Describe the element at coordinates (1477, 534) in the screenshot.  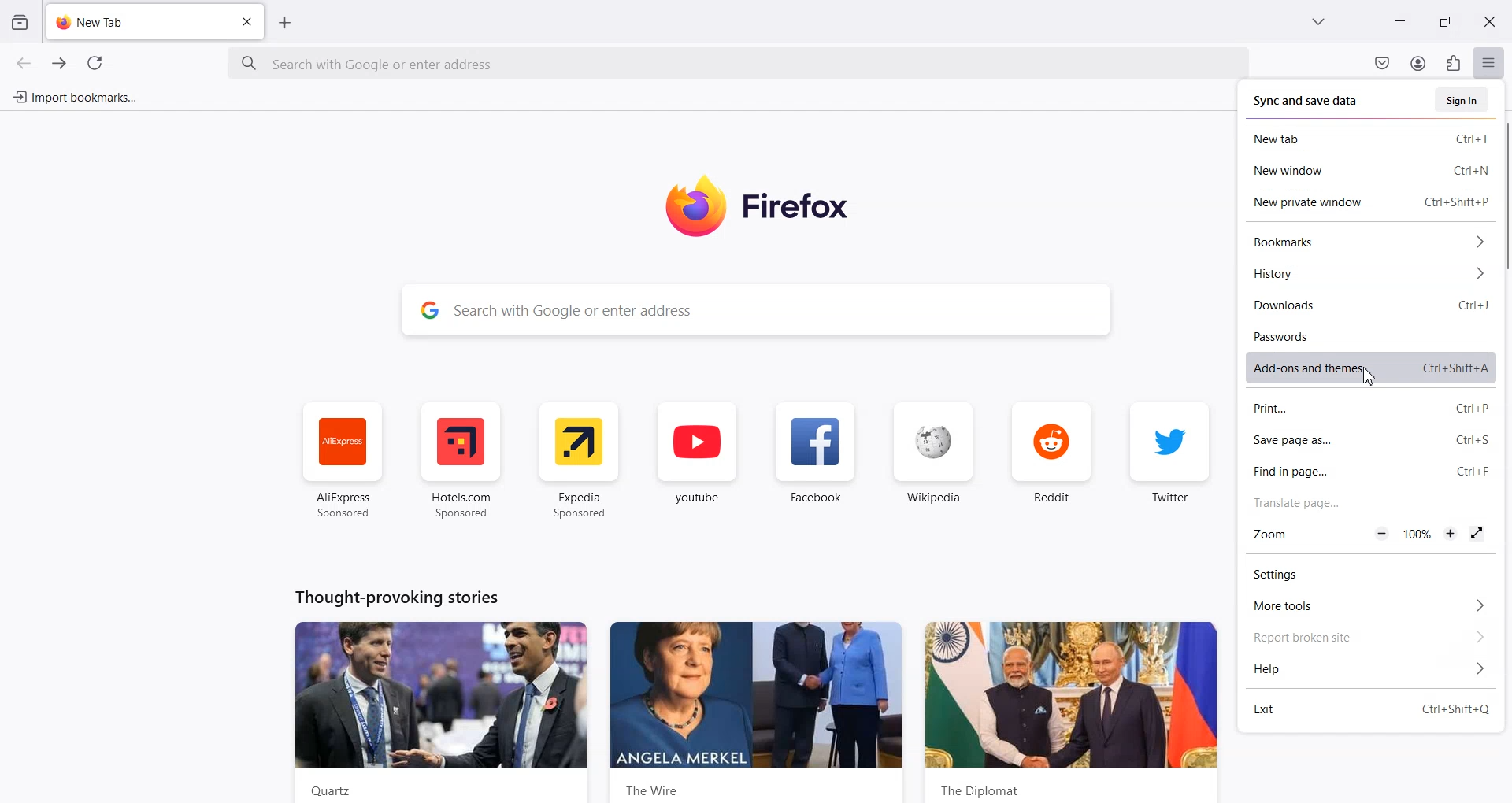
I see `Full Screen` at that location.